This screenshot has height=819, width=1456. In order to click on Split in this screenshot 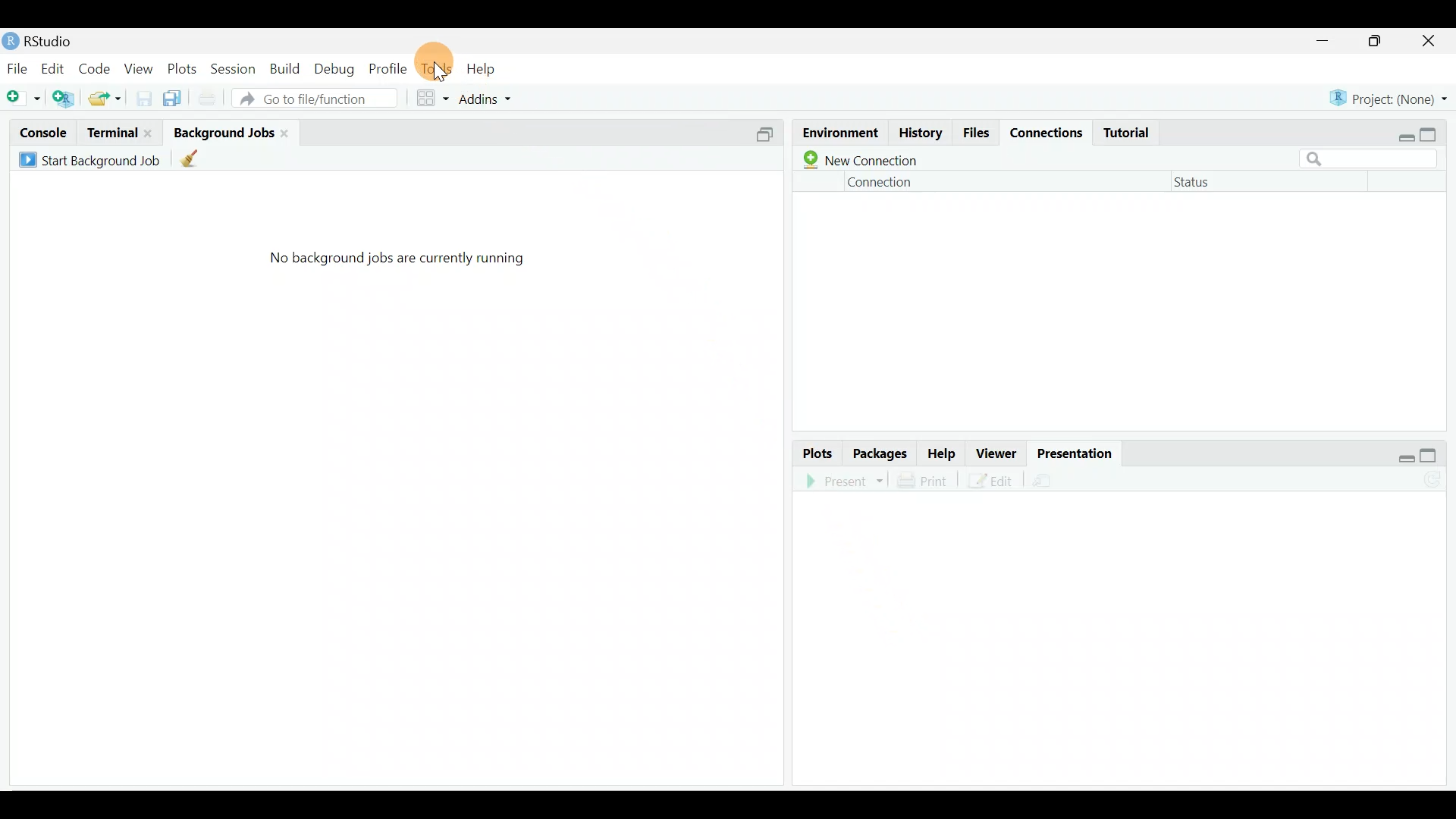, I will do `click(769, 135)`.